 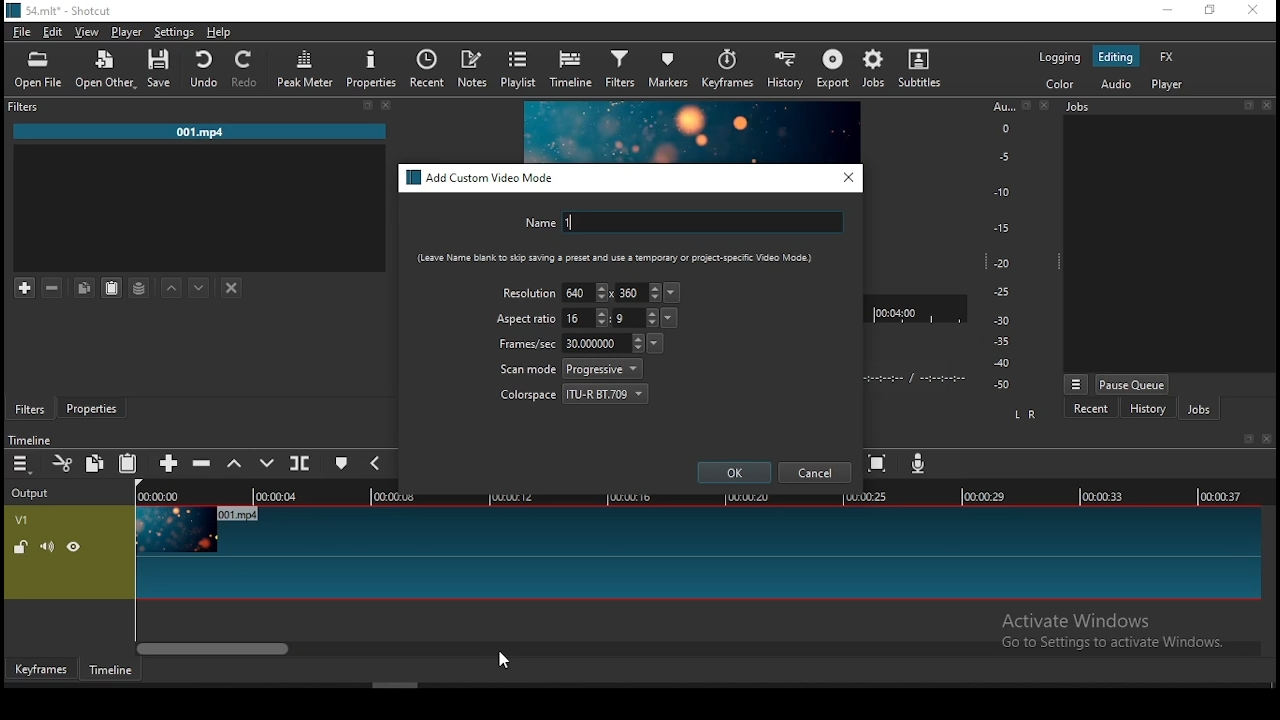 I want to click on deselect filter, so click(x=233, y=289).